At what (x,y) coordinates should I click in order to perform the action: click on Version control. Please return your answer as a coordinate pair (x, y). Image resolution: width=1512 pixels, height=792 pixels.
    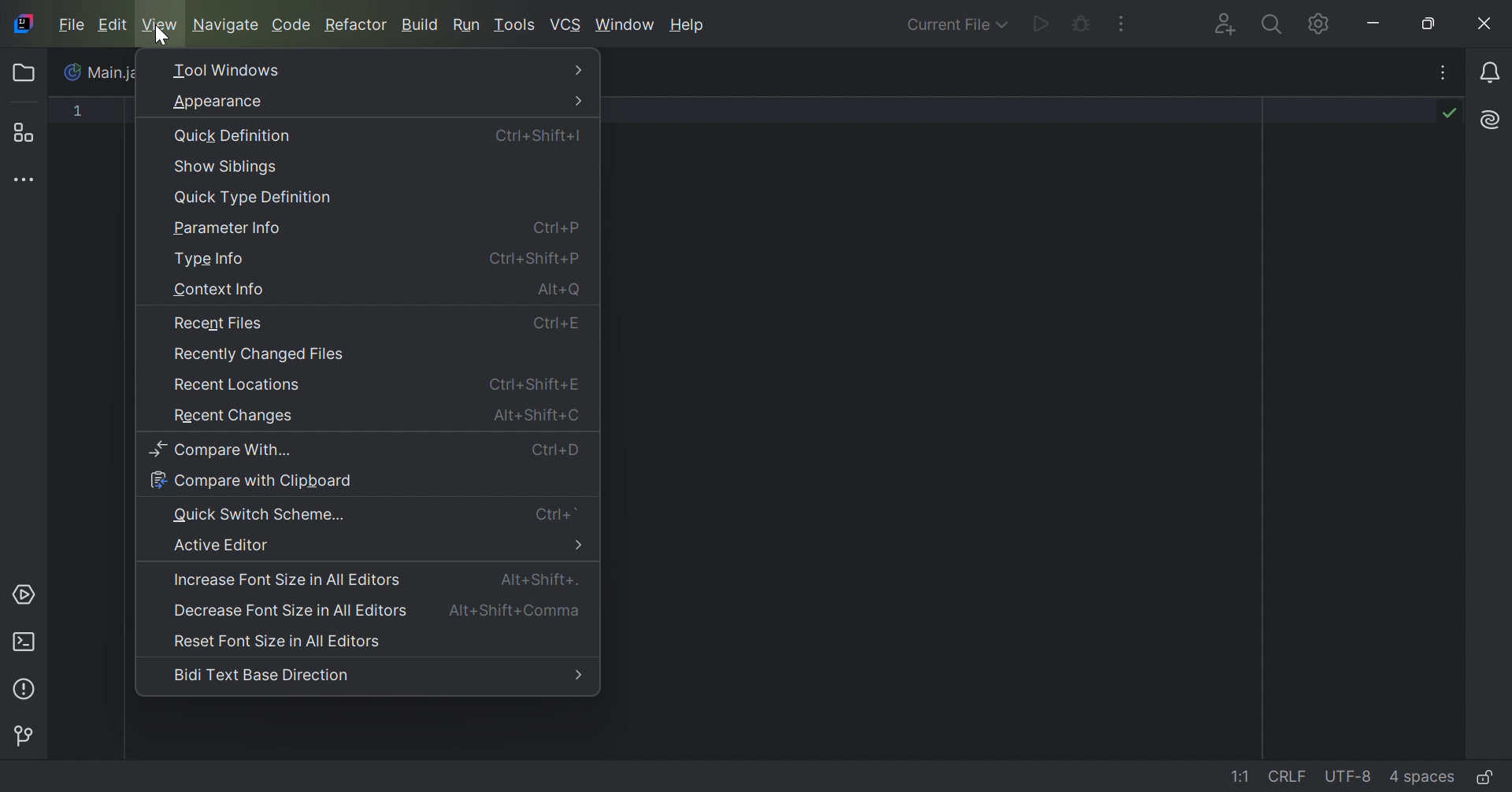
    Looking at the image, I should click on (28, 734).